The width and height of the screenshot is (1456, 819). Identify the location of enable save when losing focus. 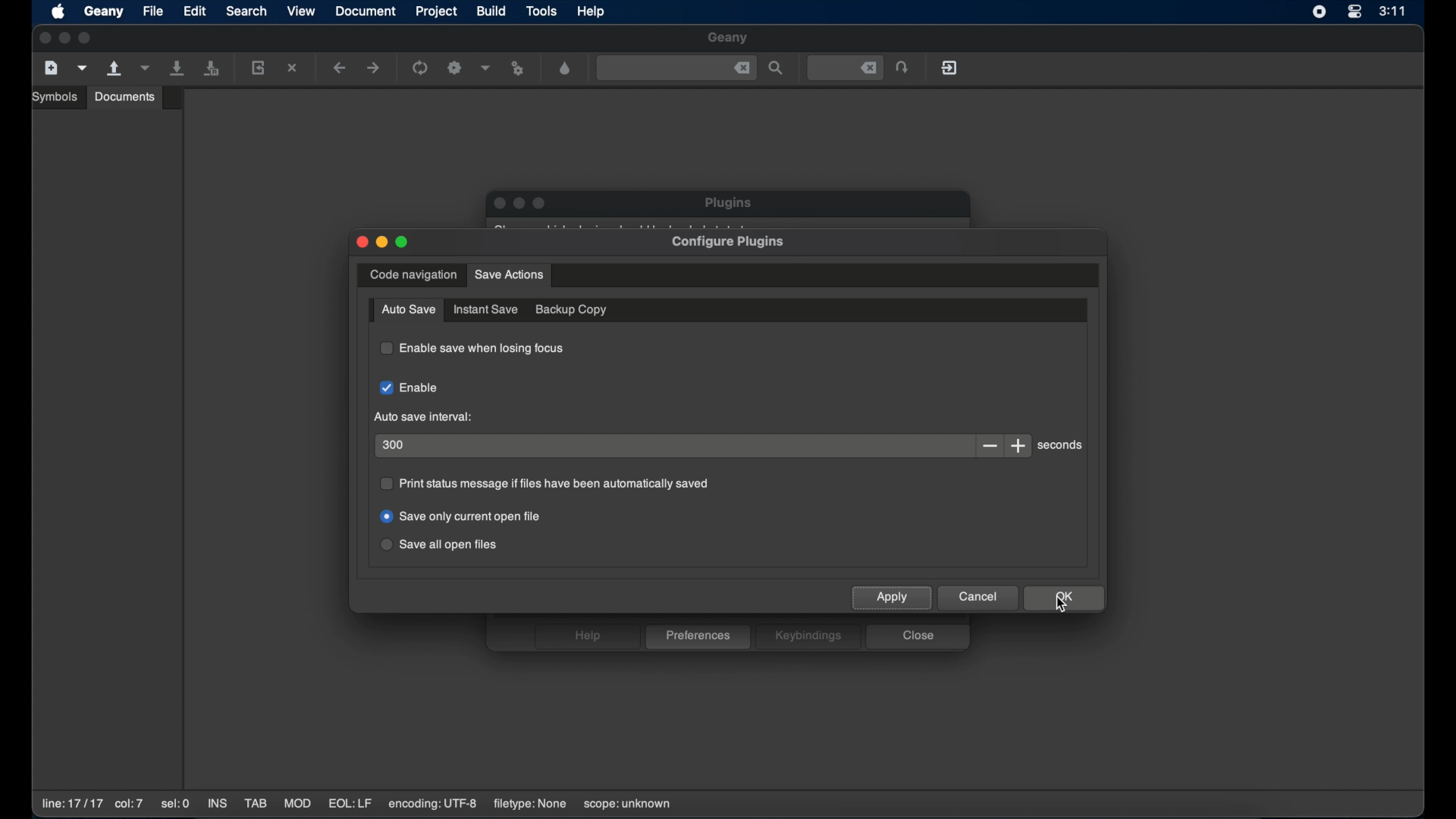
(472, 348).